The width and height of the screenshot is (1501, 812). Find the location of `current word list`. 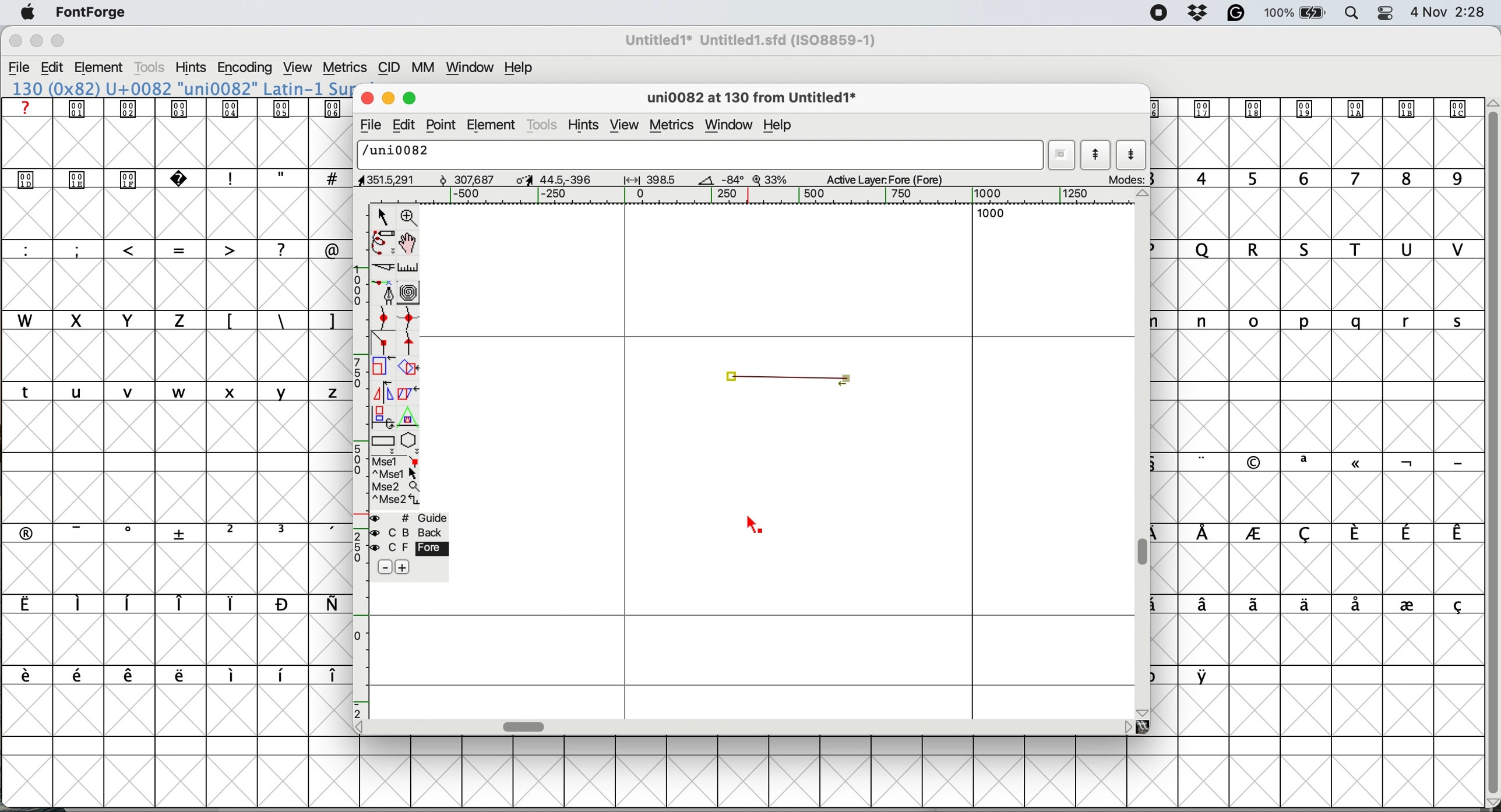

current word list is located at coordinates (1060, 155).